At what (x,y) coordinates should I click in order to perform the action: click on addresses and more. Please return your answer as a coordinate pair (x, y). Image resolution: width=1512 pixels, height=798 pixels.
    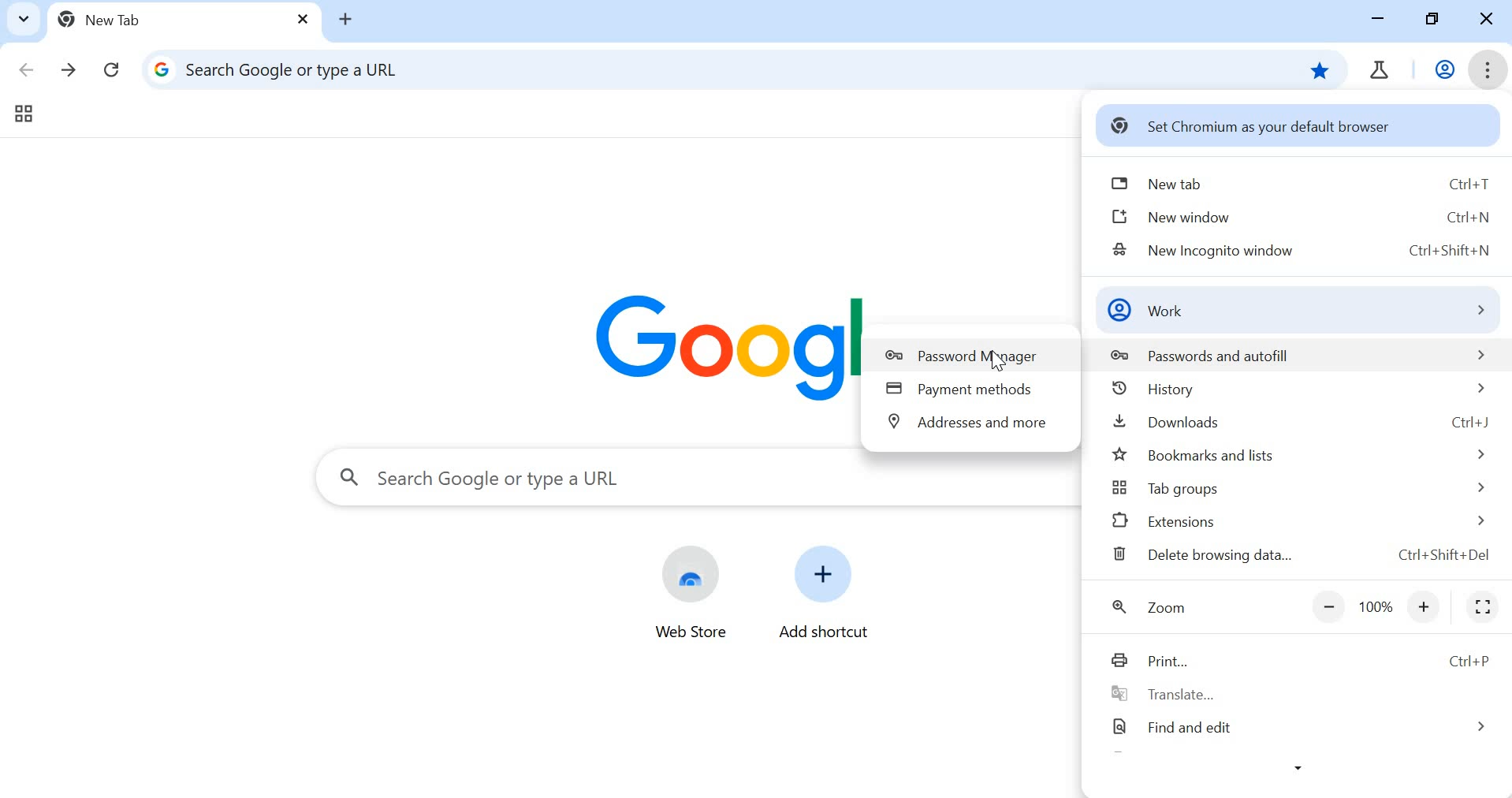
    Looking at the image, I should click on (969, 425).